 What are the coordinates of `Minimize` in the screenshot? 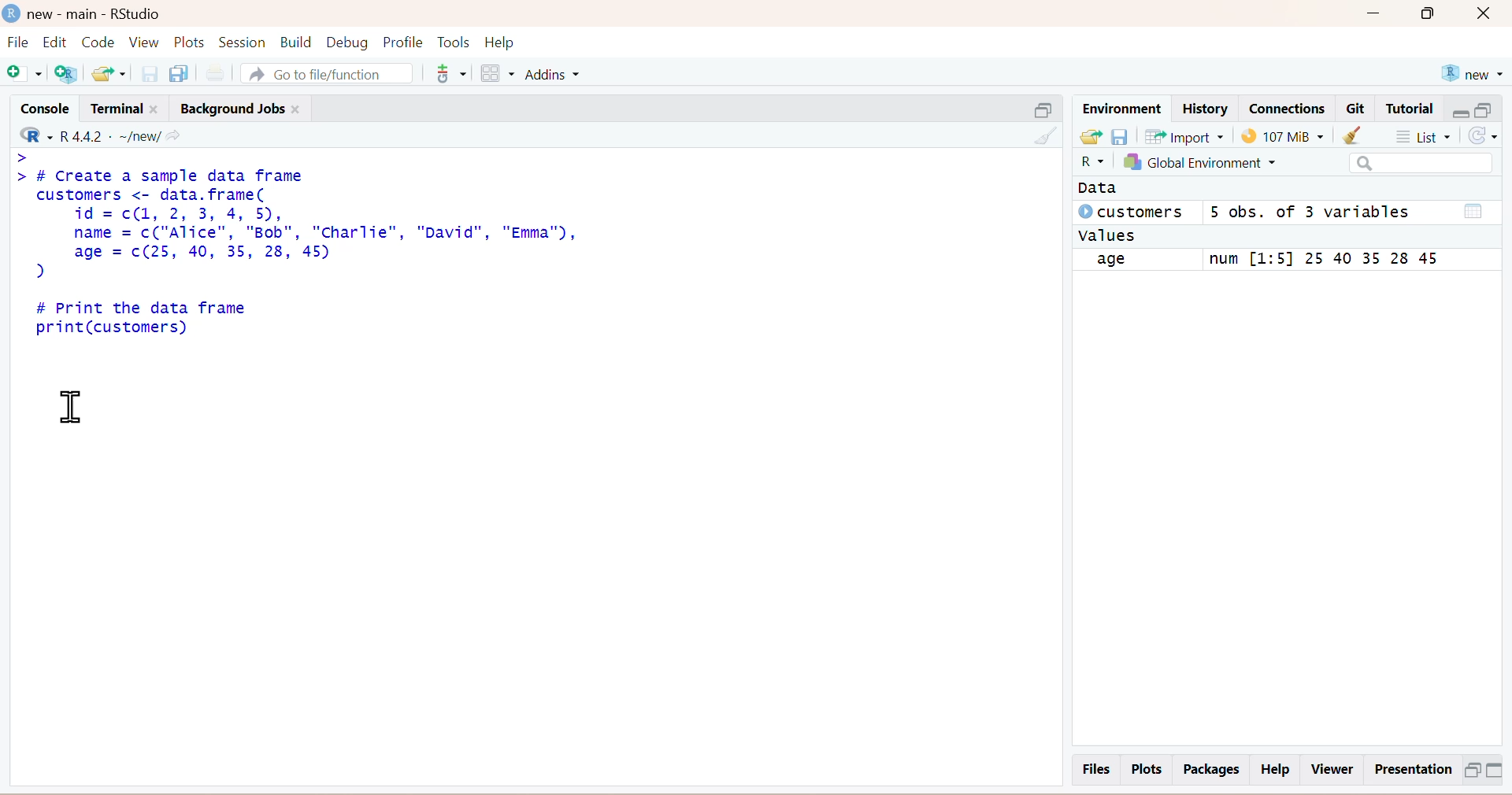 It's located at (1376, 17).